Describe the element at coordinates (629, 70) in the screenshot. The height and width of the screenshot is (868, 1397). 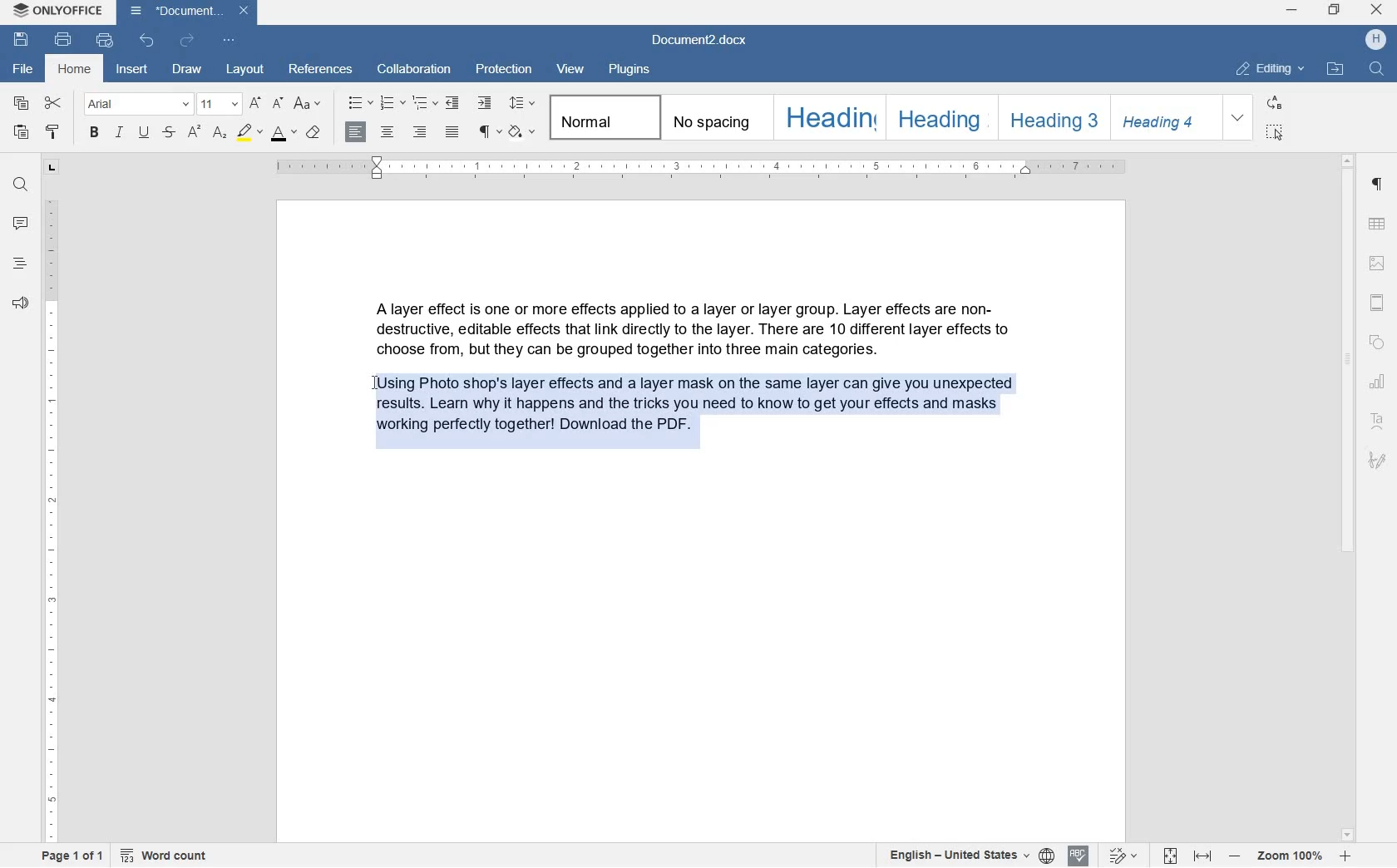
I see `PLUGINS` at that location.